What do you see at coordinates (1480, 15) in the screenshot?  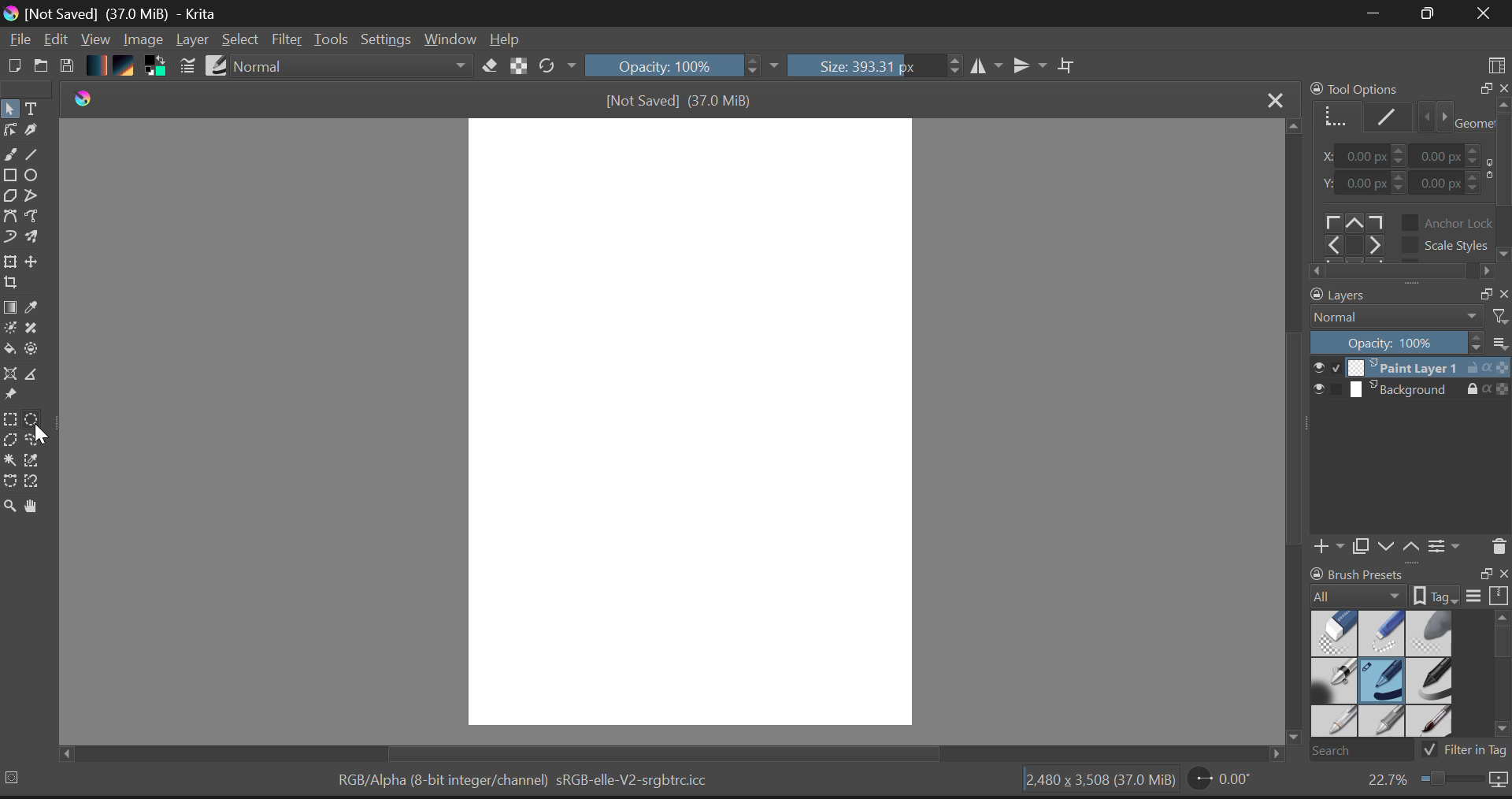 I see `Close` at bounding box center [1480, 15].